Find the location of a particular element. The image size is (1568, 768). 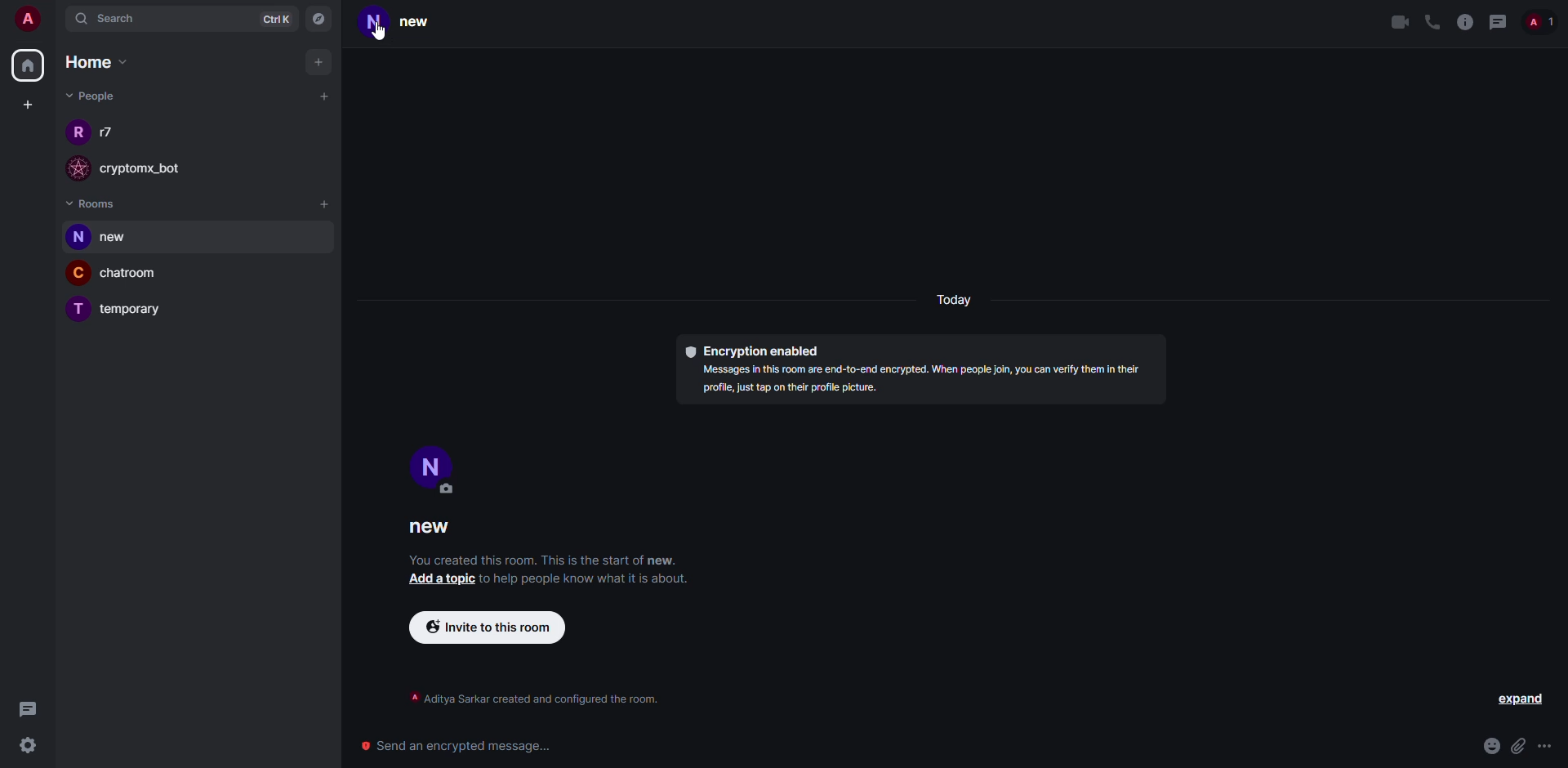

profile is located at coordinates (434, 463).